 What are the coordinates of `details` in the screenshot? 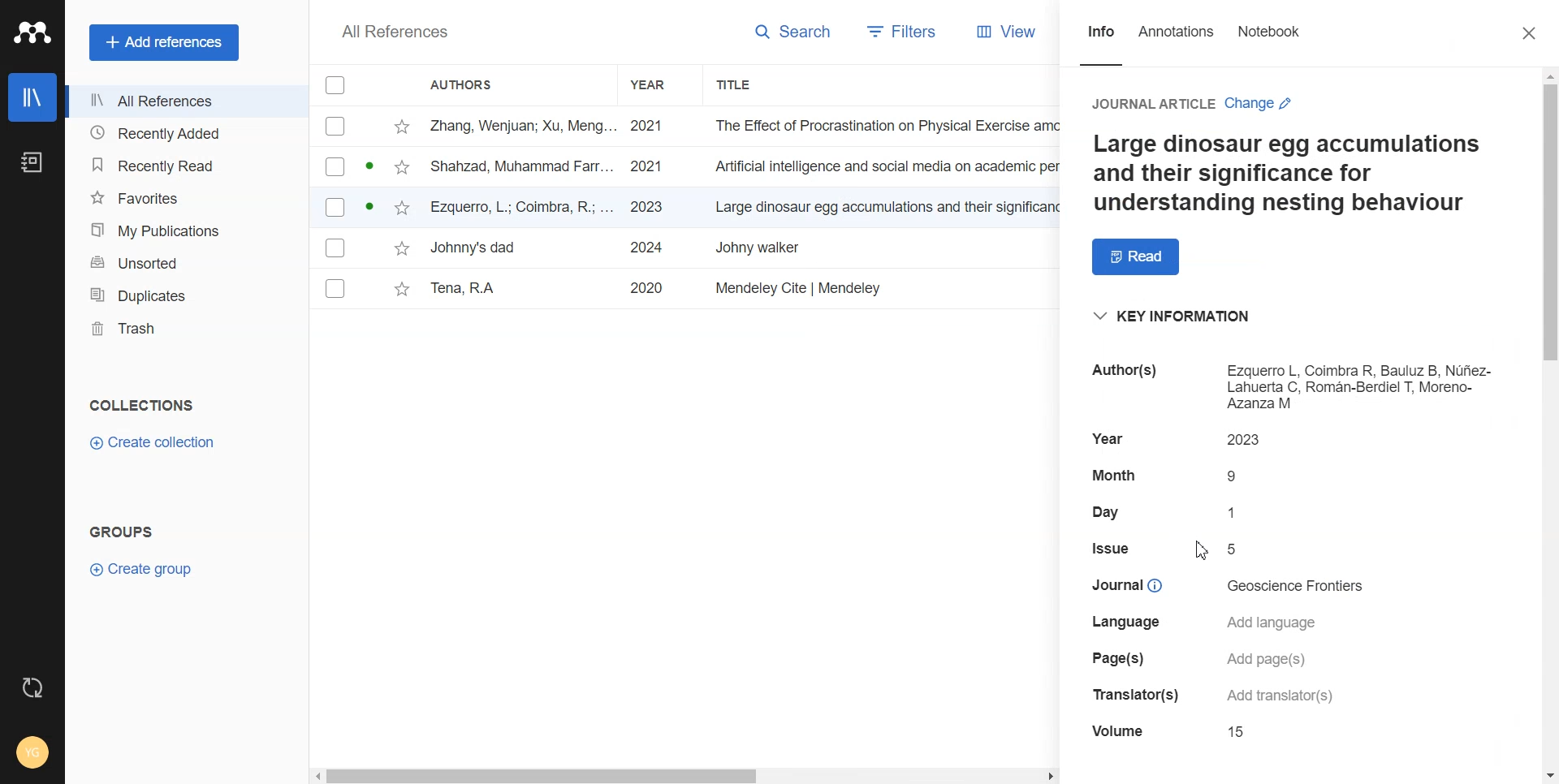 It's located at (1275, 623).